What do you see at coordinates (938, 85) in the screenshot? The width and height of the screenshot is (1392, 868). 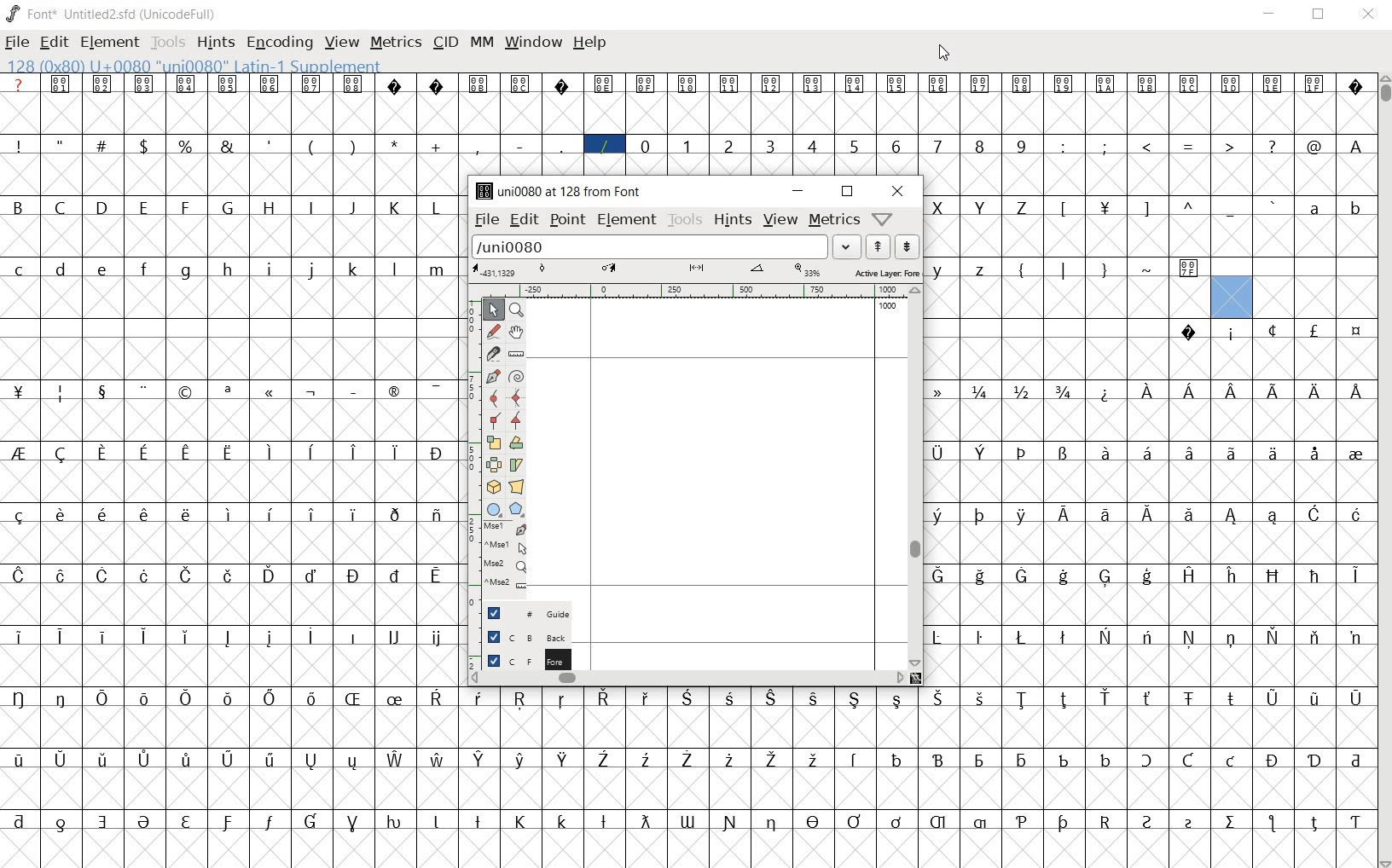 I see `glyph` at bounding box center [938, 85].